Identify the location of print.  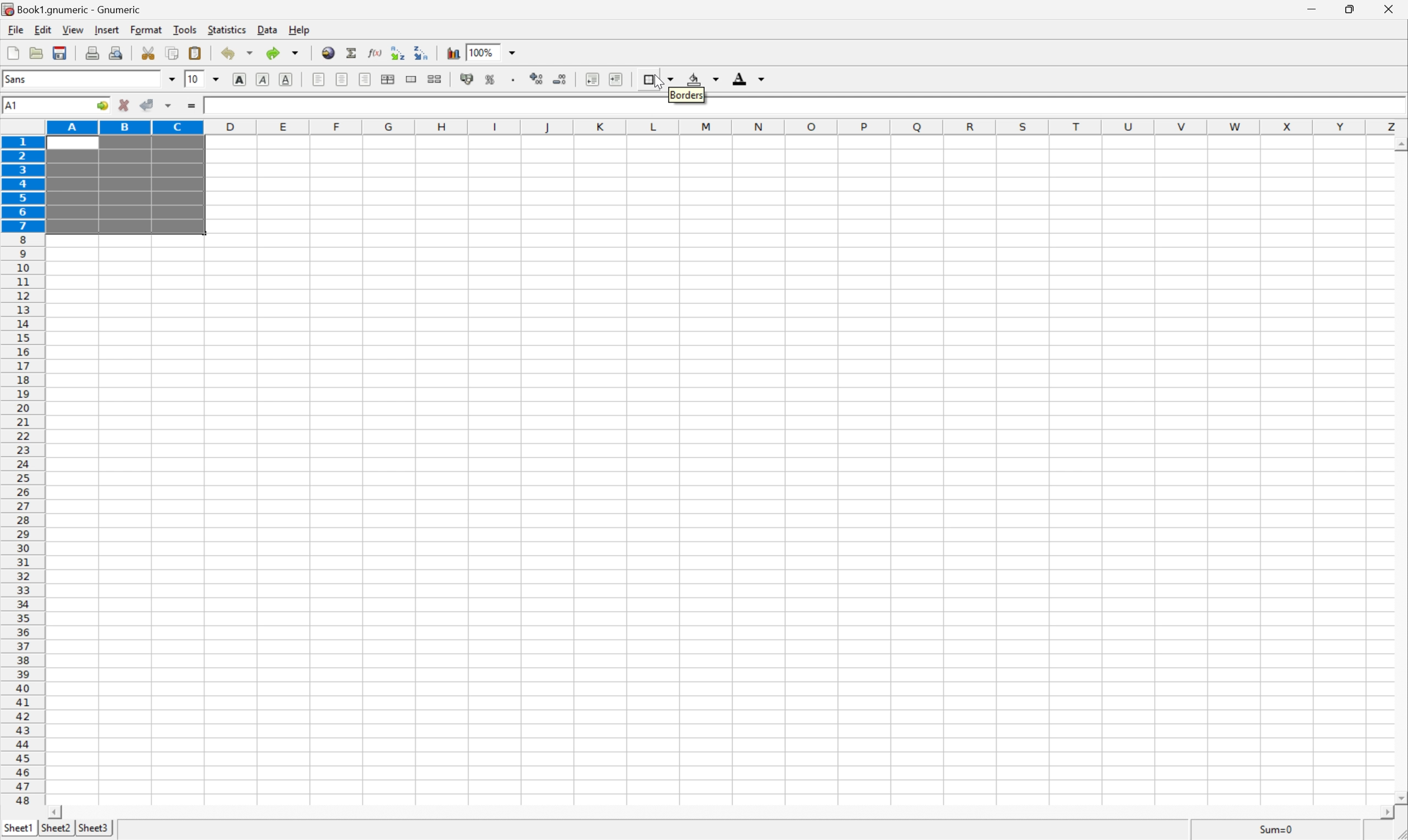
(92, 52).